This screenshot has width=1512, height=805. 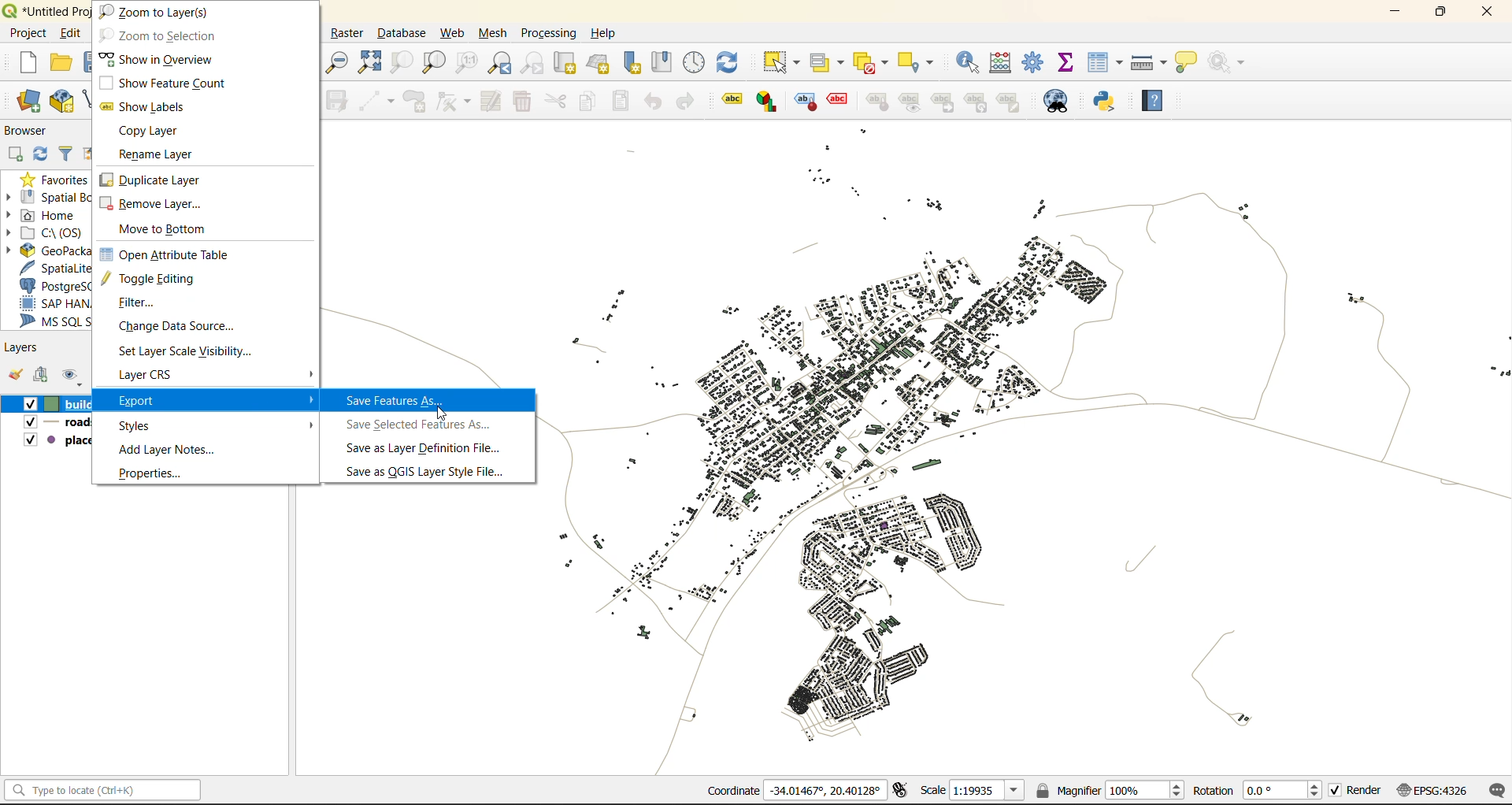 What do you see at coordinates (1487, 13) in the screenshot?
I see `close` at bounding box center [1487, 13].